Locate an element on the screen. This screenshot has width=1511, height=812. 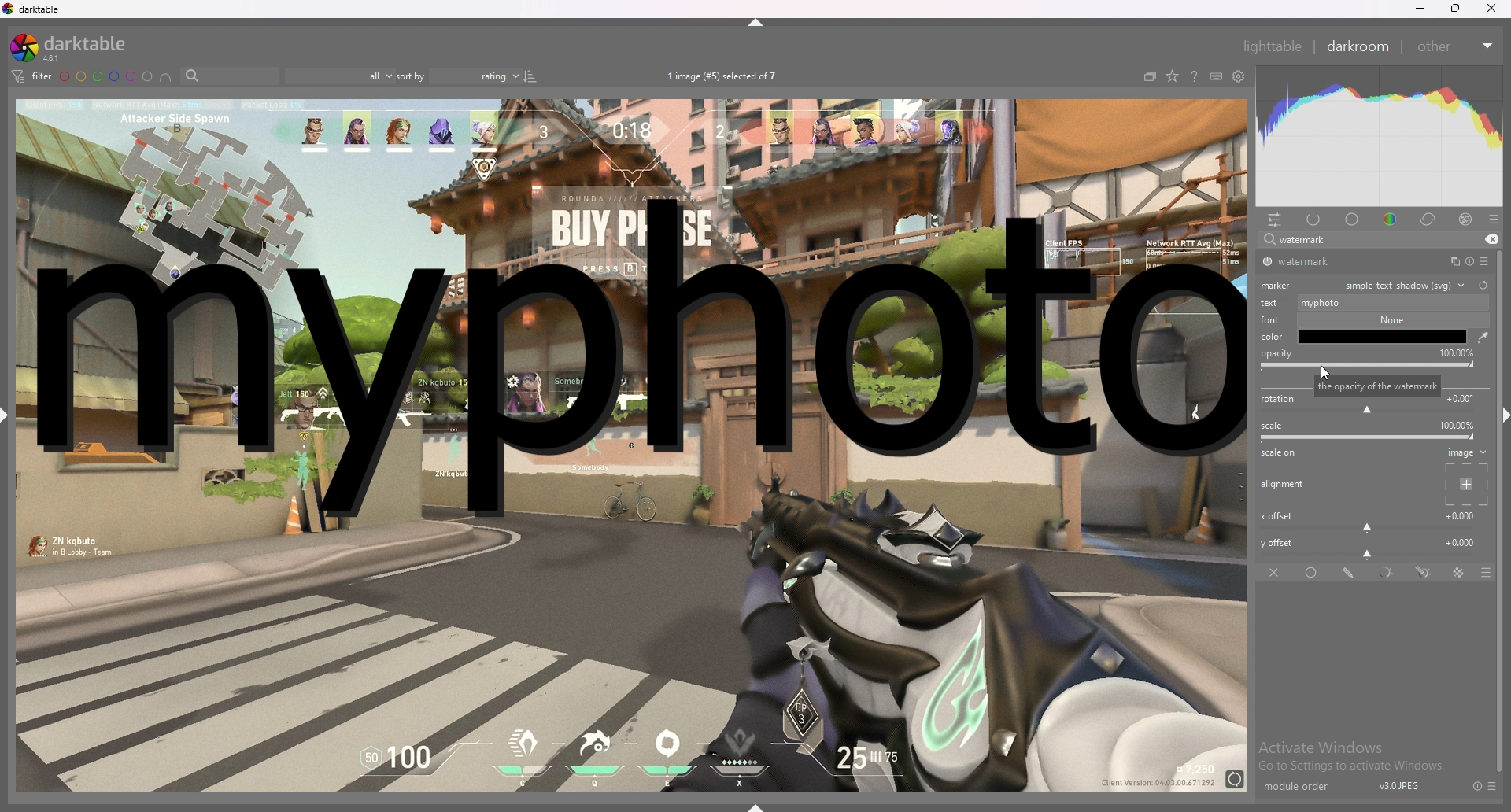
version is located at coordinates (1400, 785).